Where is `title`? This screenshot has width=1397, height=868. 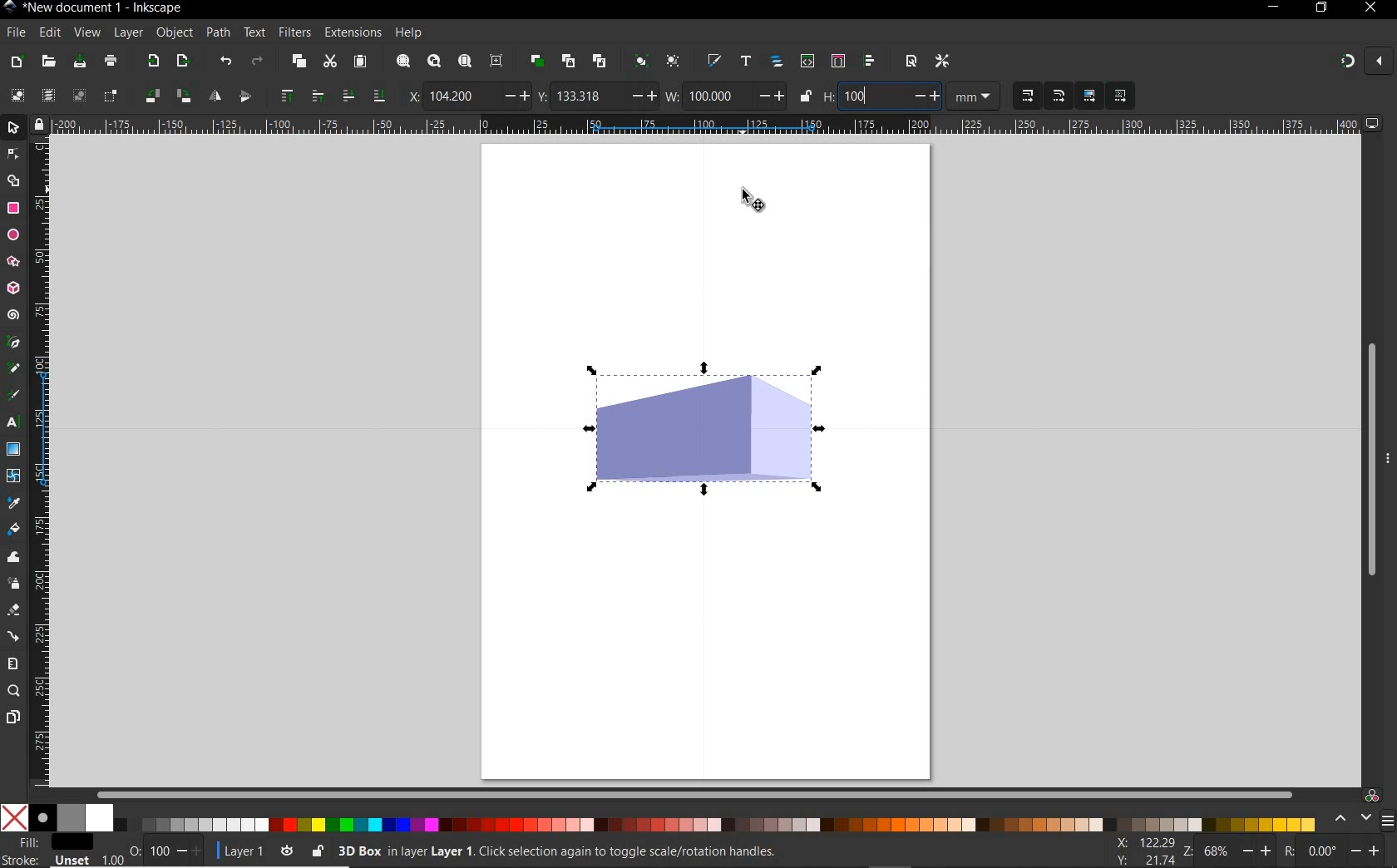 title is located at coordinates (102, 10).